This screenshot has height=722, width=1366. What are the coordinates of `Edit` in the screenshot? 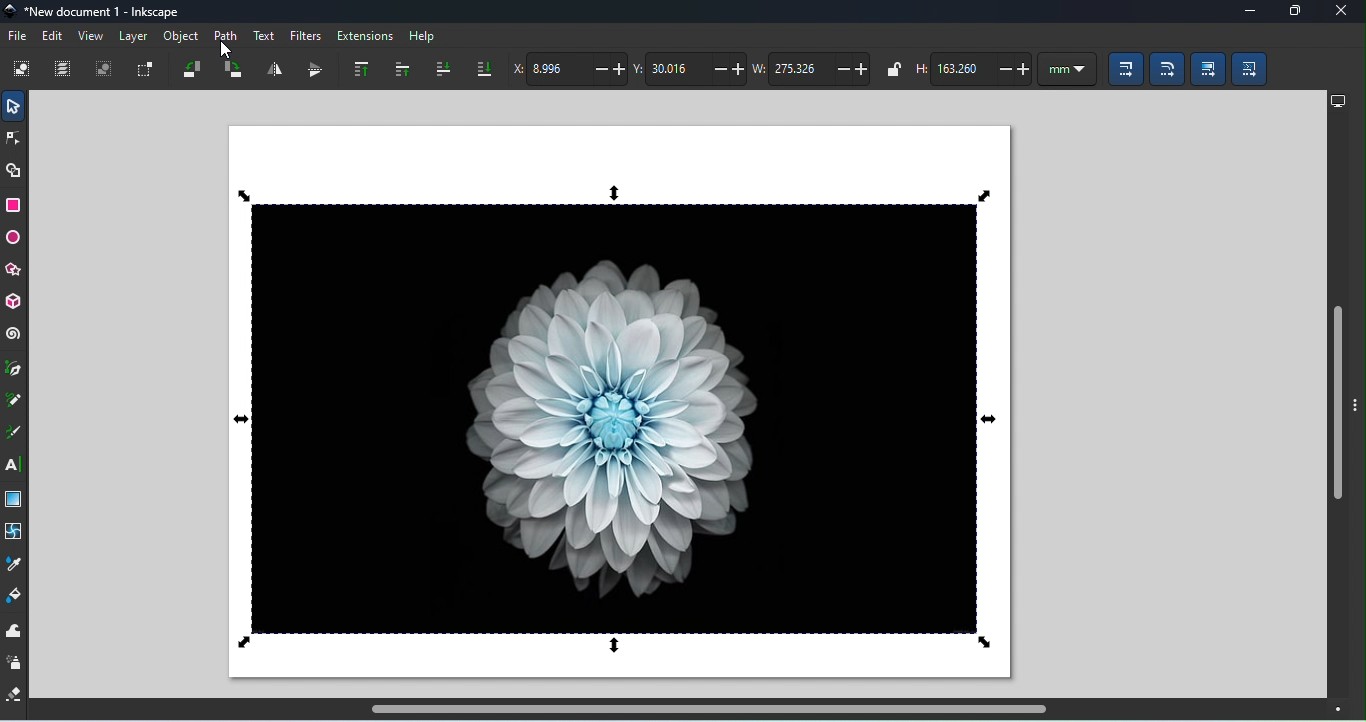 It's located at (53, 36).